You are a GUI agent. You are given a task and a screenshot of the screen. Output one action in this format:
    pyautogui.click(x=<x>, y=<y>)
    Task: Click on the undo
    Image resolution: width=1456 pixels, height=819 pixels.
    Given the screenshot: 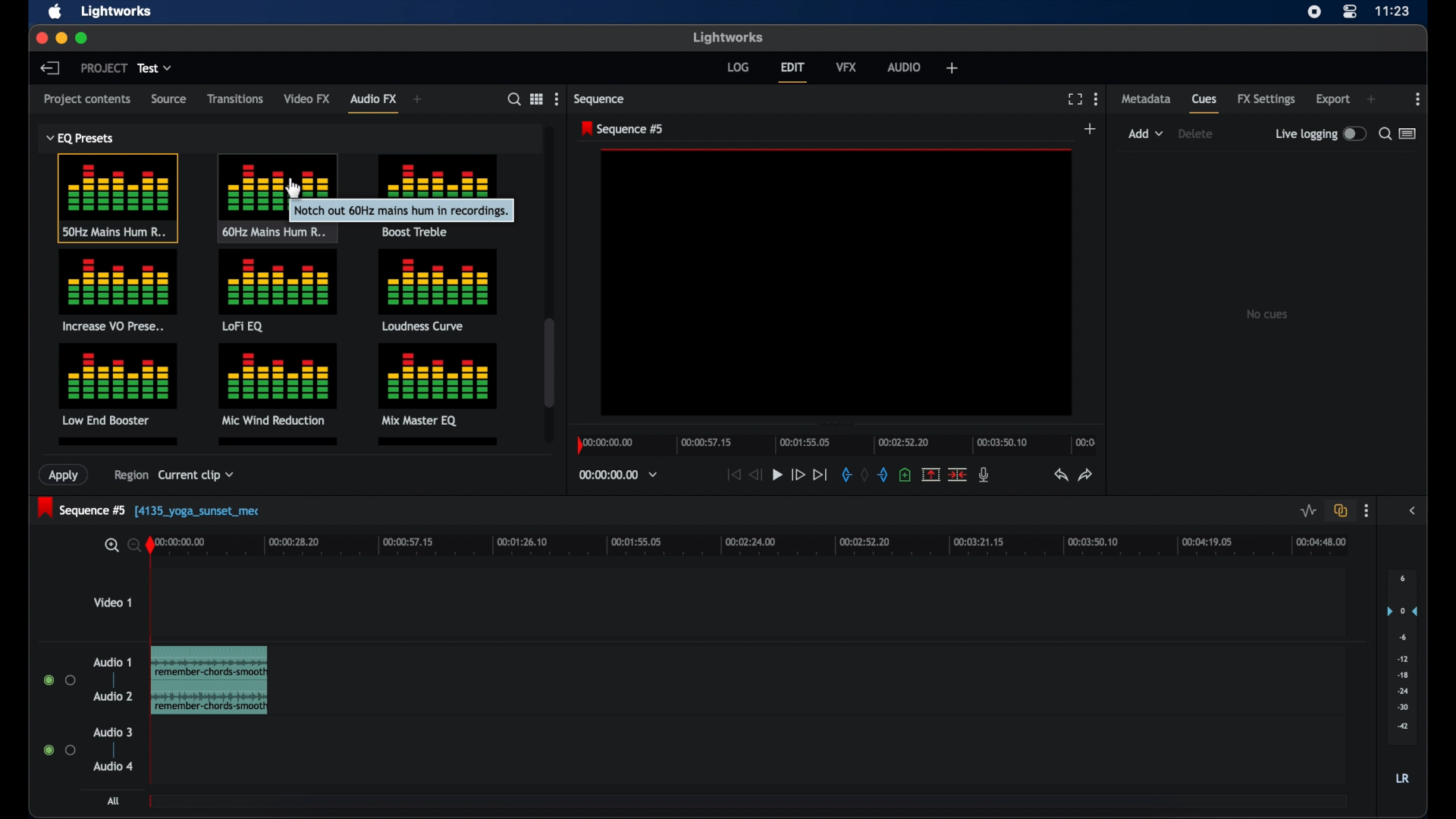 What is the action you would take?
    pyautogui.click(x=1059, y=475)
    